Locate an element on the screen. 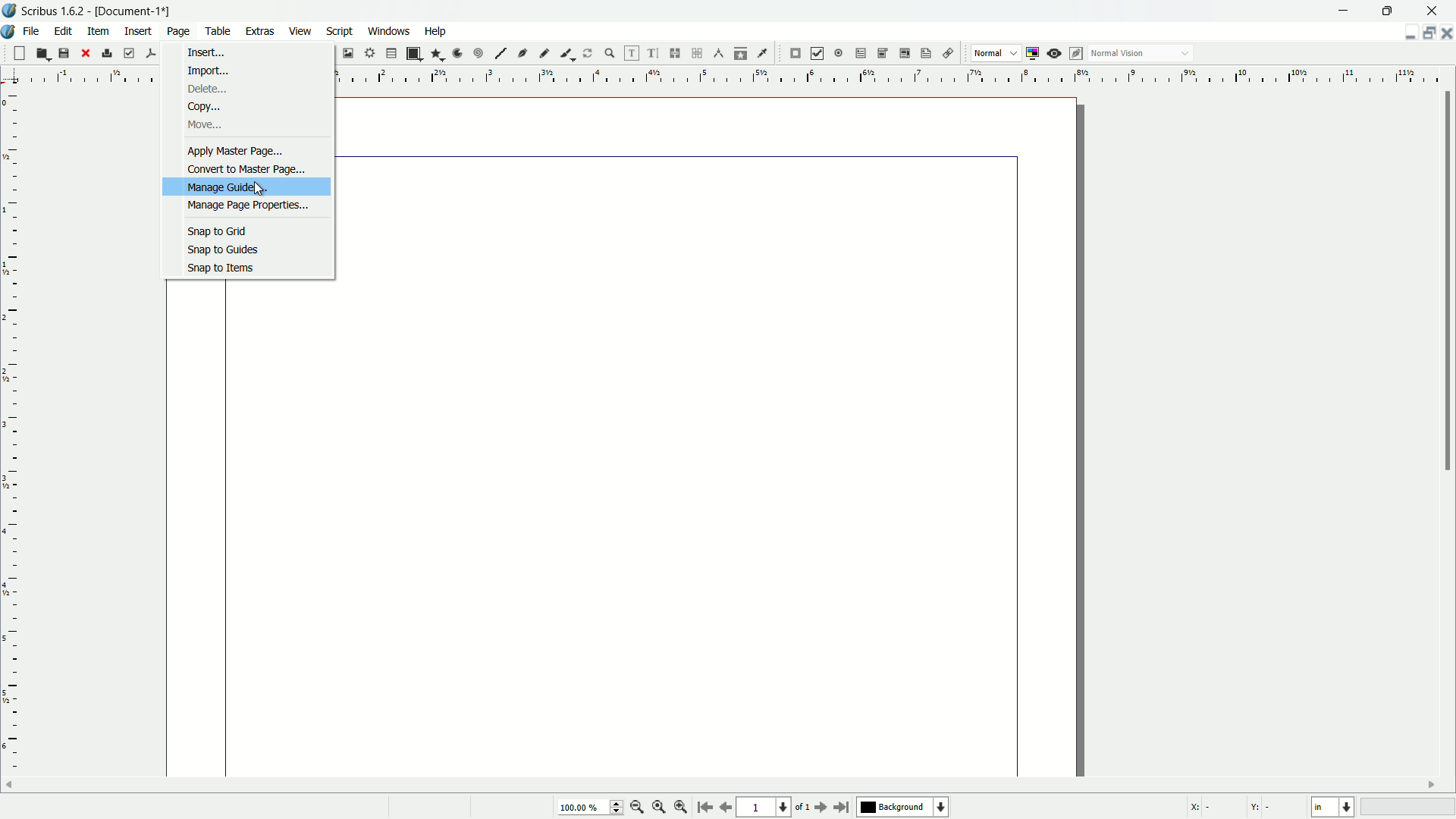  measurements is located at coordinates (719, 54).